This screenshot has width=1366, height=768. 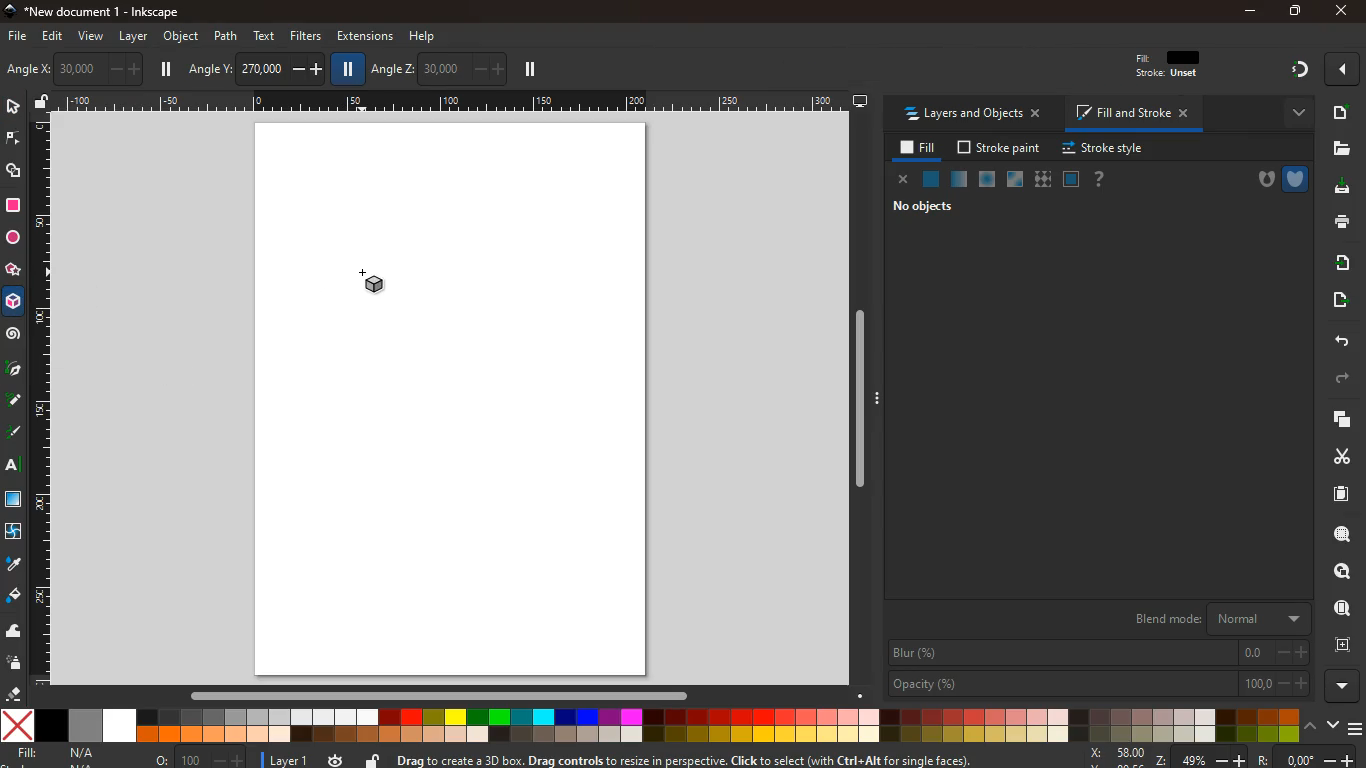 What do you see at coordinates (1259, 180) in the screenshot?
I see `hole` at bounding box center [1259, 180].